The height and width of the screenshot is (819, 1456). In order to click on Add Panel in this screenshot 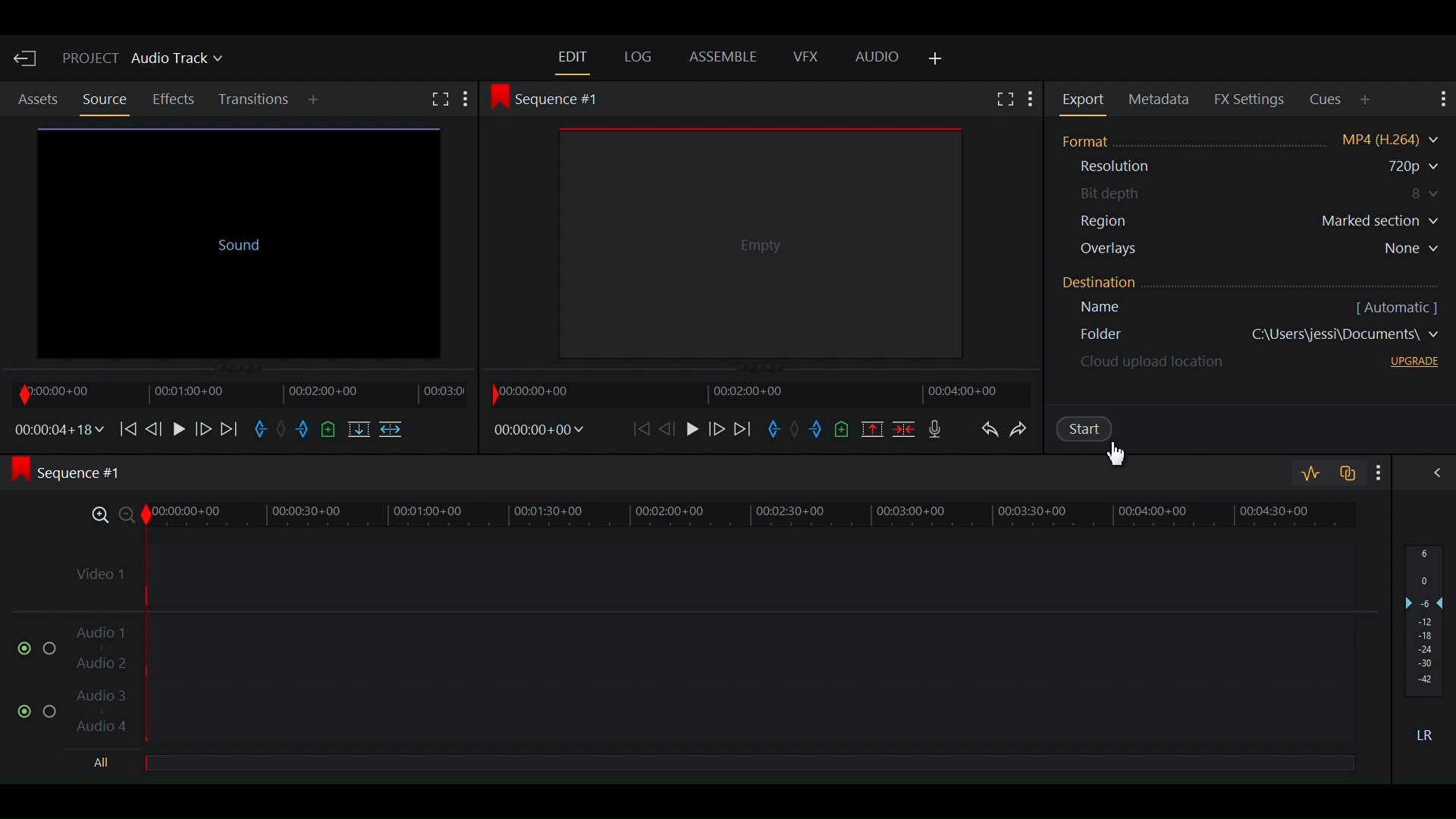, I will do `click(1367, 99)`.